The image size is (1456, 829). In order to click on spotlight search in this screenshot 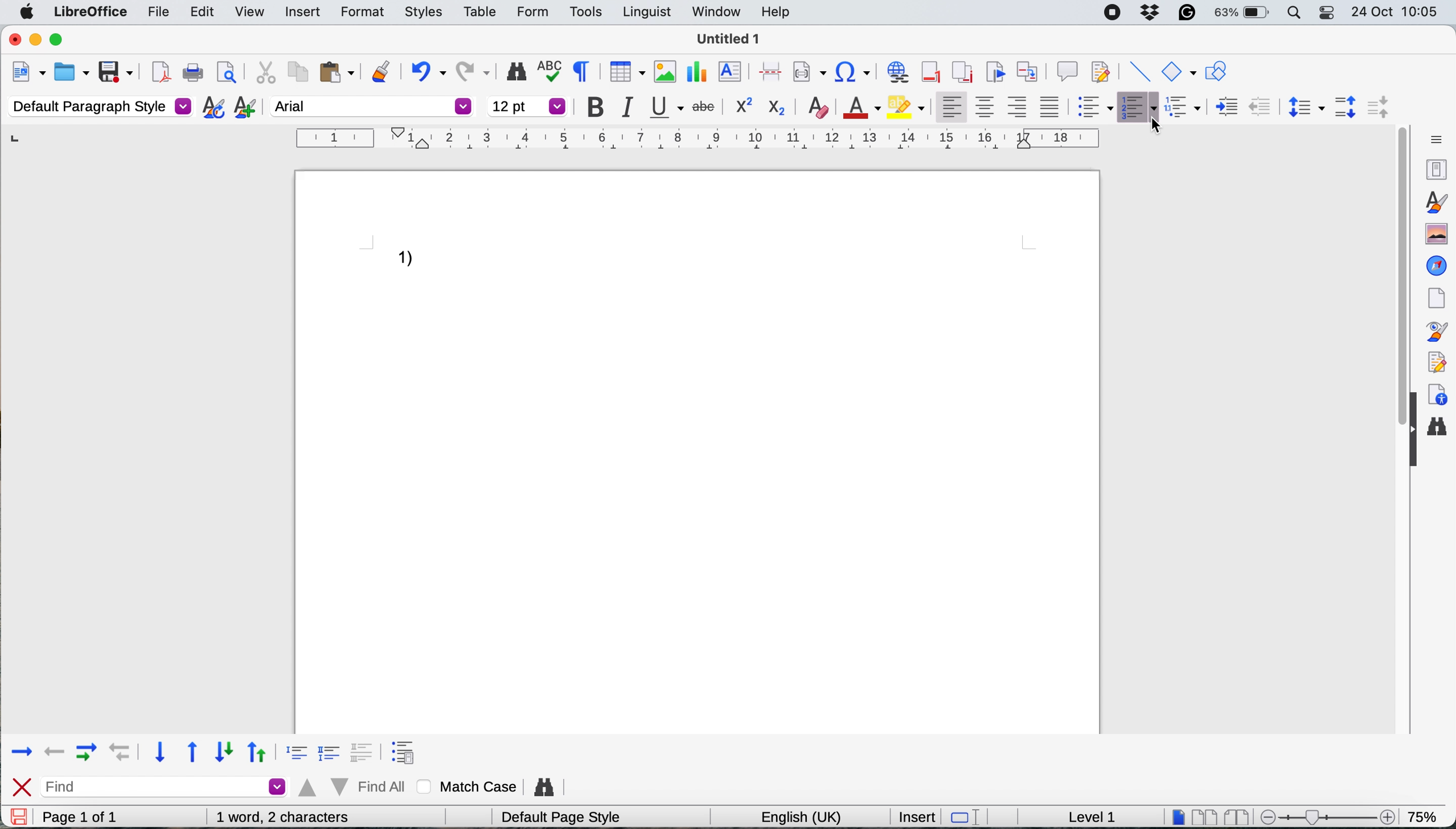, I will do `click(1293, 13)`.